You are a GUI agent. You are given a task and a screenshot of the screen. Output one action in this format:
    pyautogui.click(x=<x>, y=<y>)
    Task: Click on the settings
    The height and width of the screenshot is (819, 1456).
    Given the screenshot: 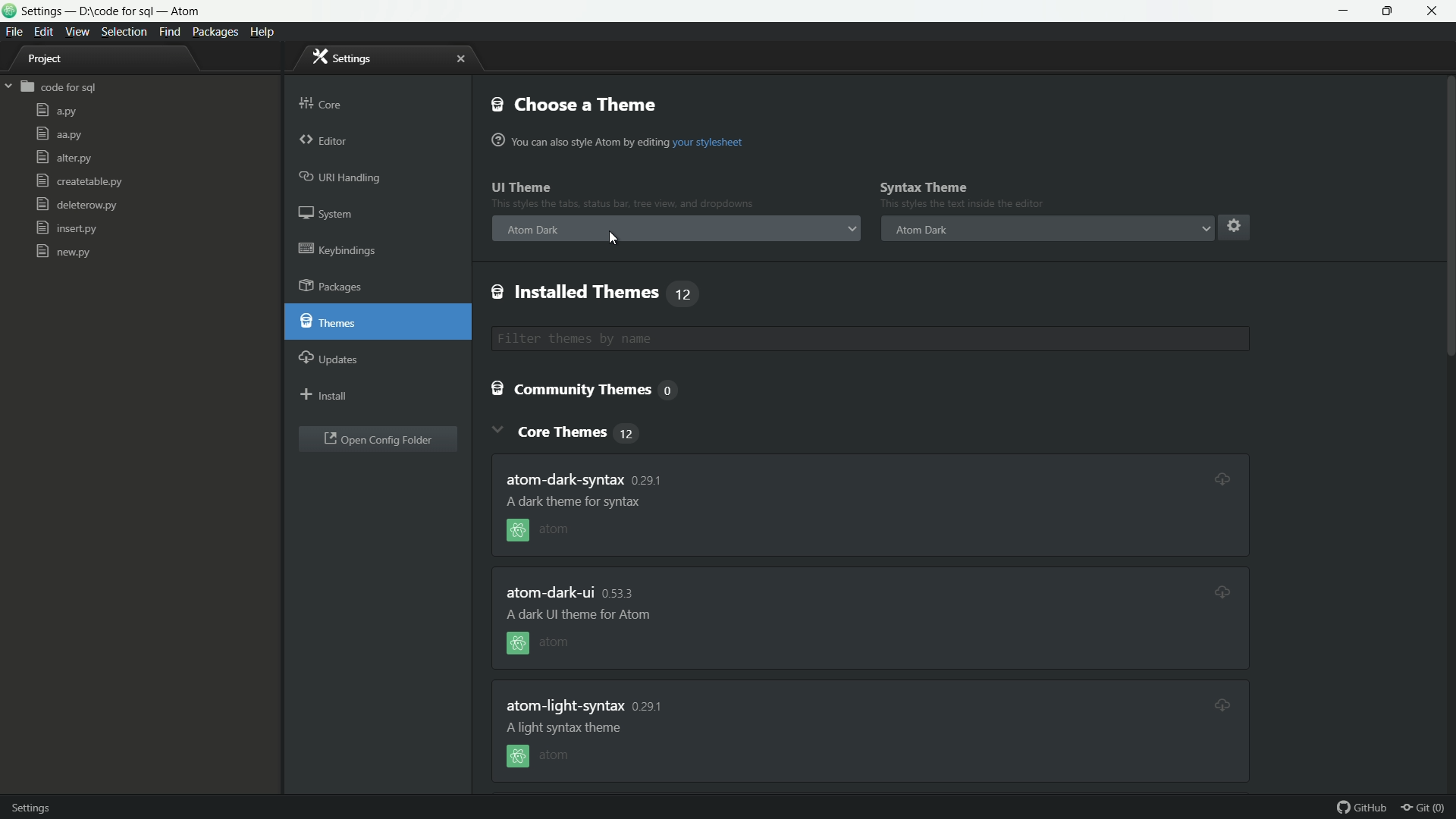 What is the action you would take?
    pyautogui.click(x=344, y=57)
    